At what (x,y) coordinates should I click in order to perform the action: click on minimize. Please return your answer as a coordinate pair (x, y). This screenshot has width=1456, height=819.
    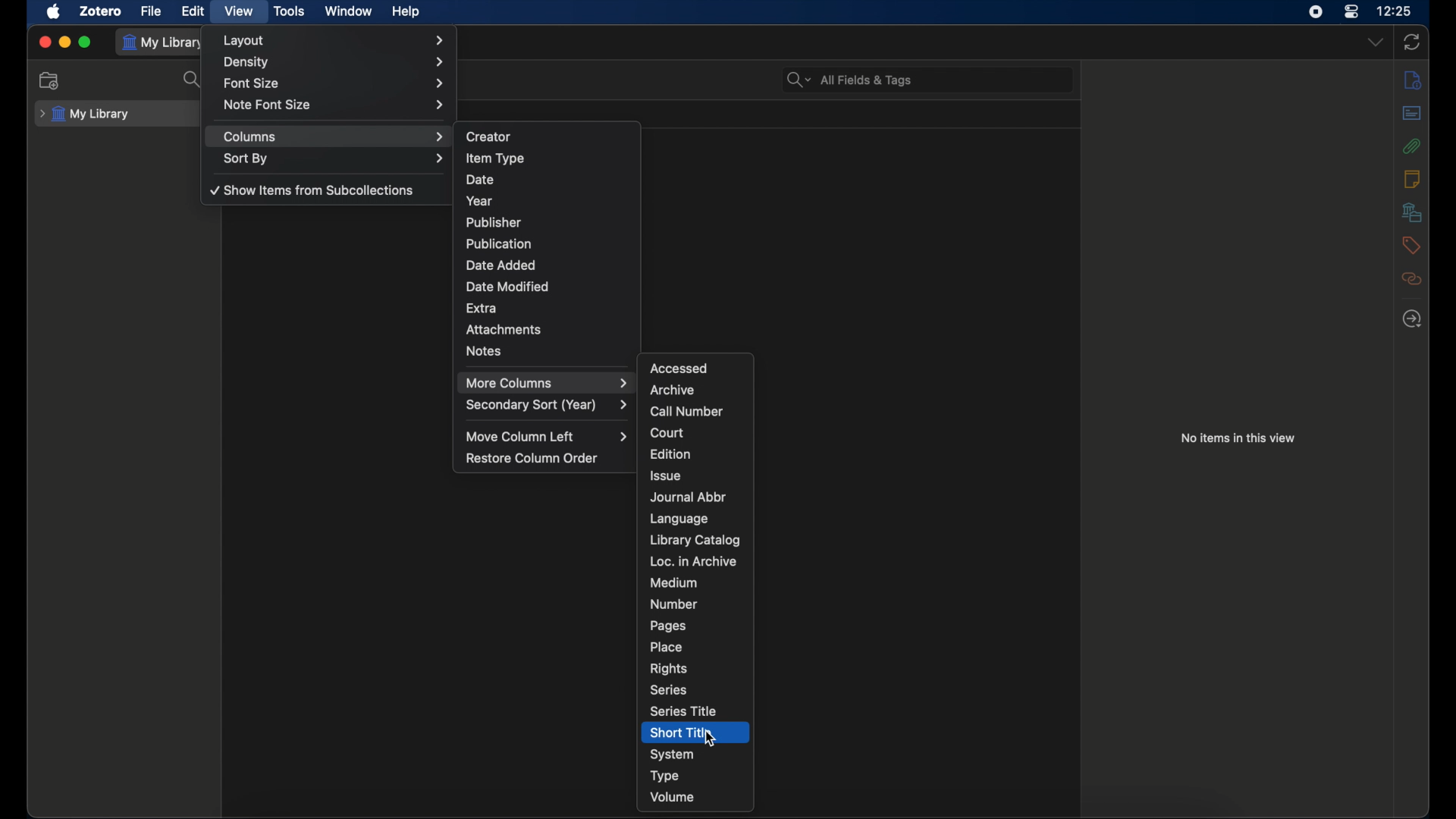
    Looking at the image, I should click on (64, 42).